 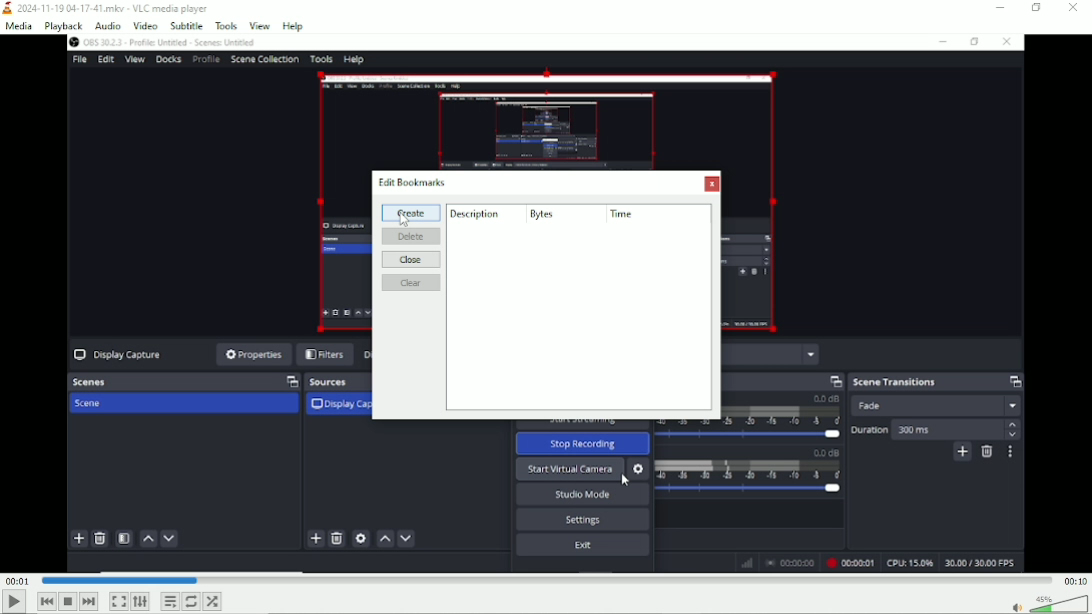 What do you see at coordinates (17, 26) in the screenshot?
I see `Media` at bounding box center [17, 26].